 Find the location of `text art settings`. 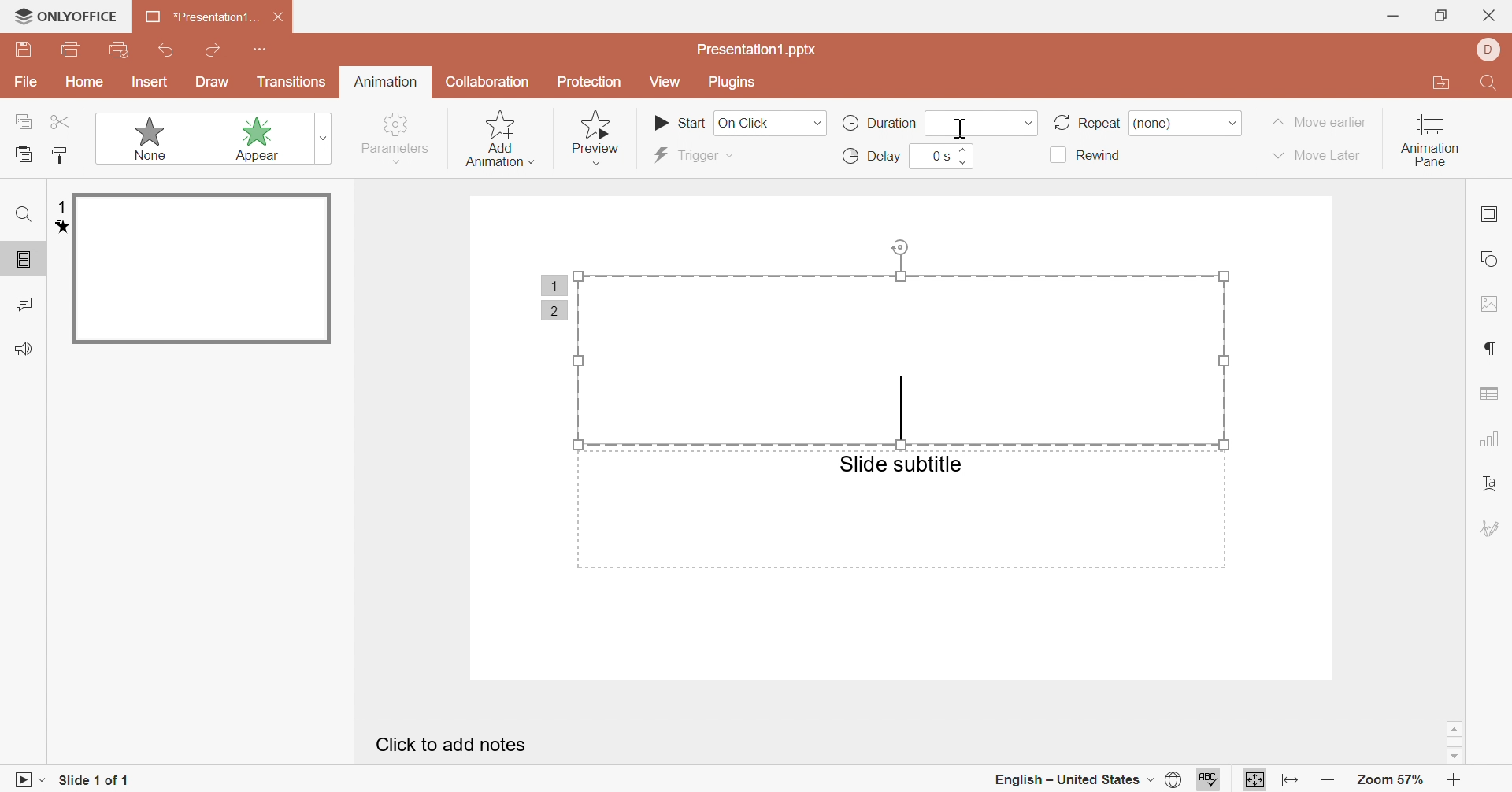

text art settings is located at coordinates (1492, 486).